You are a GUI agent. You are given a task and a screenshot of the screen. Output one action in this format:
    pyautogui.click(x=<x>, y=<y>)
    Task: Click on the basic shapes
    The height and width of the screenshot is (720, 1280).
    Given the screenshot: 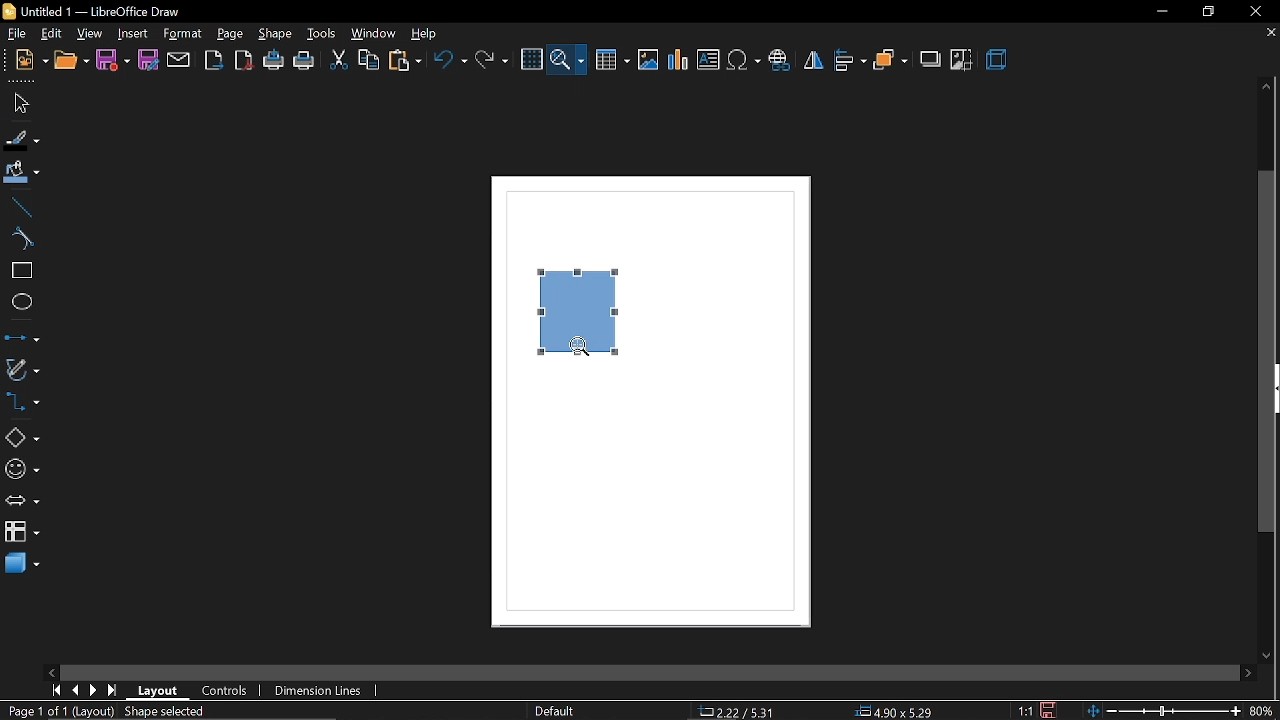 What is the action you would take?
    pyautogui.click(x=22, y=438)
    